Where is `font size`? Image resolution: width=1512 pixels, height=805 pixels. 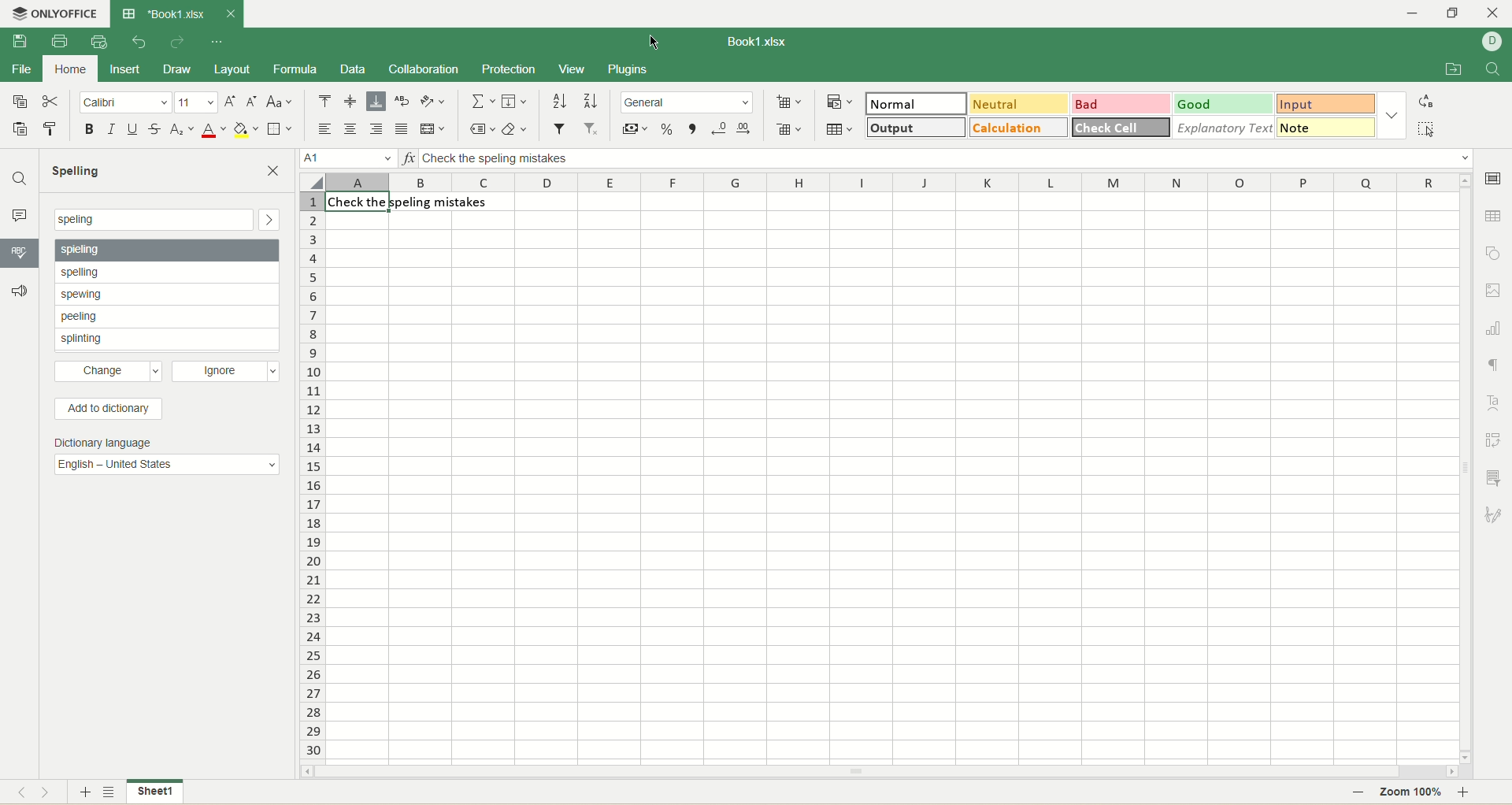 font size is located at coordinates (198, 102).